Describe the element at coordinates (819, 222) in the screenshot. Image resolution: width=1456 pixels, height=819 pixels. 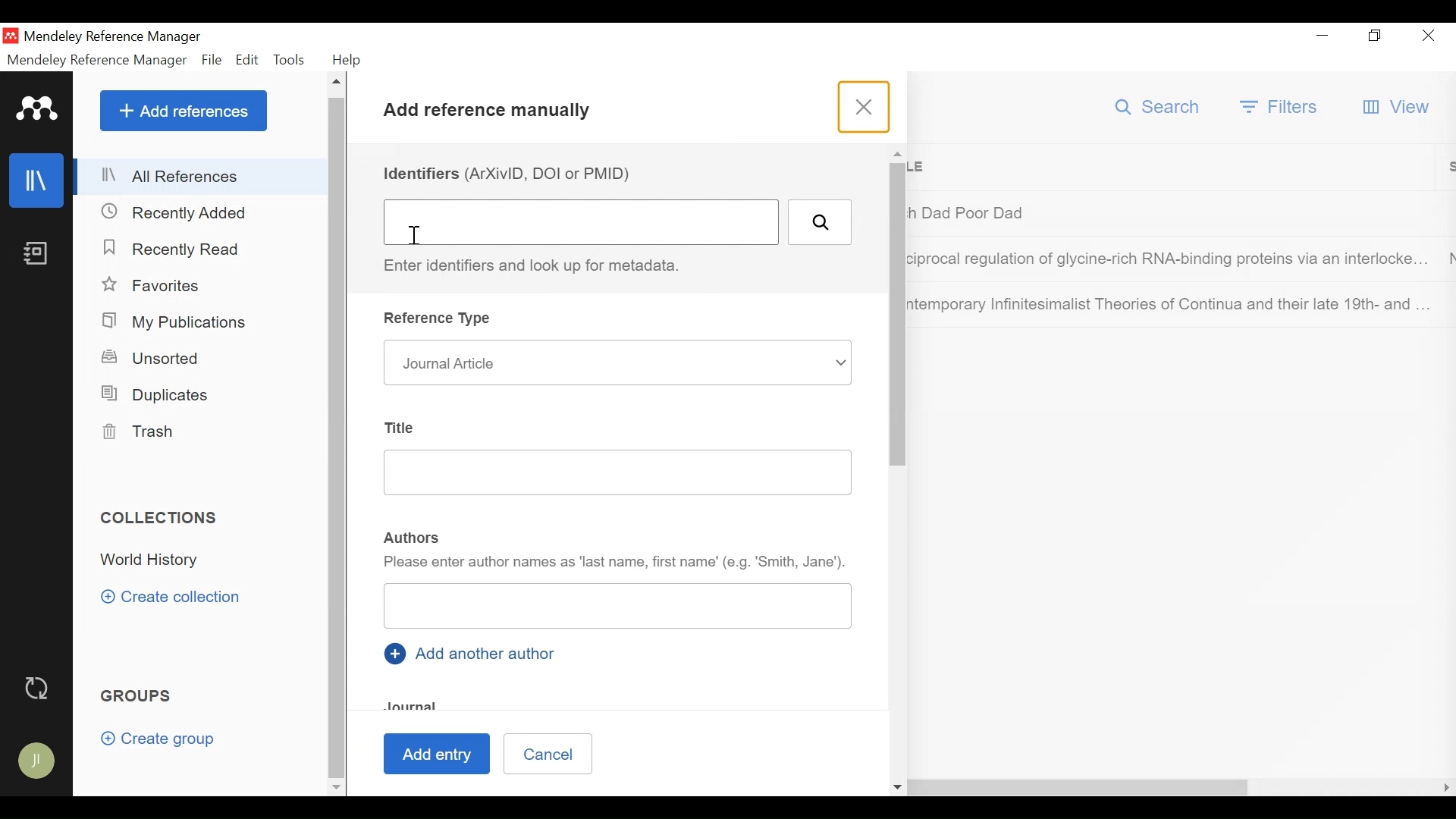
I see `search` at that location.